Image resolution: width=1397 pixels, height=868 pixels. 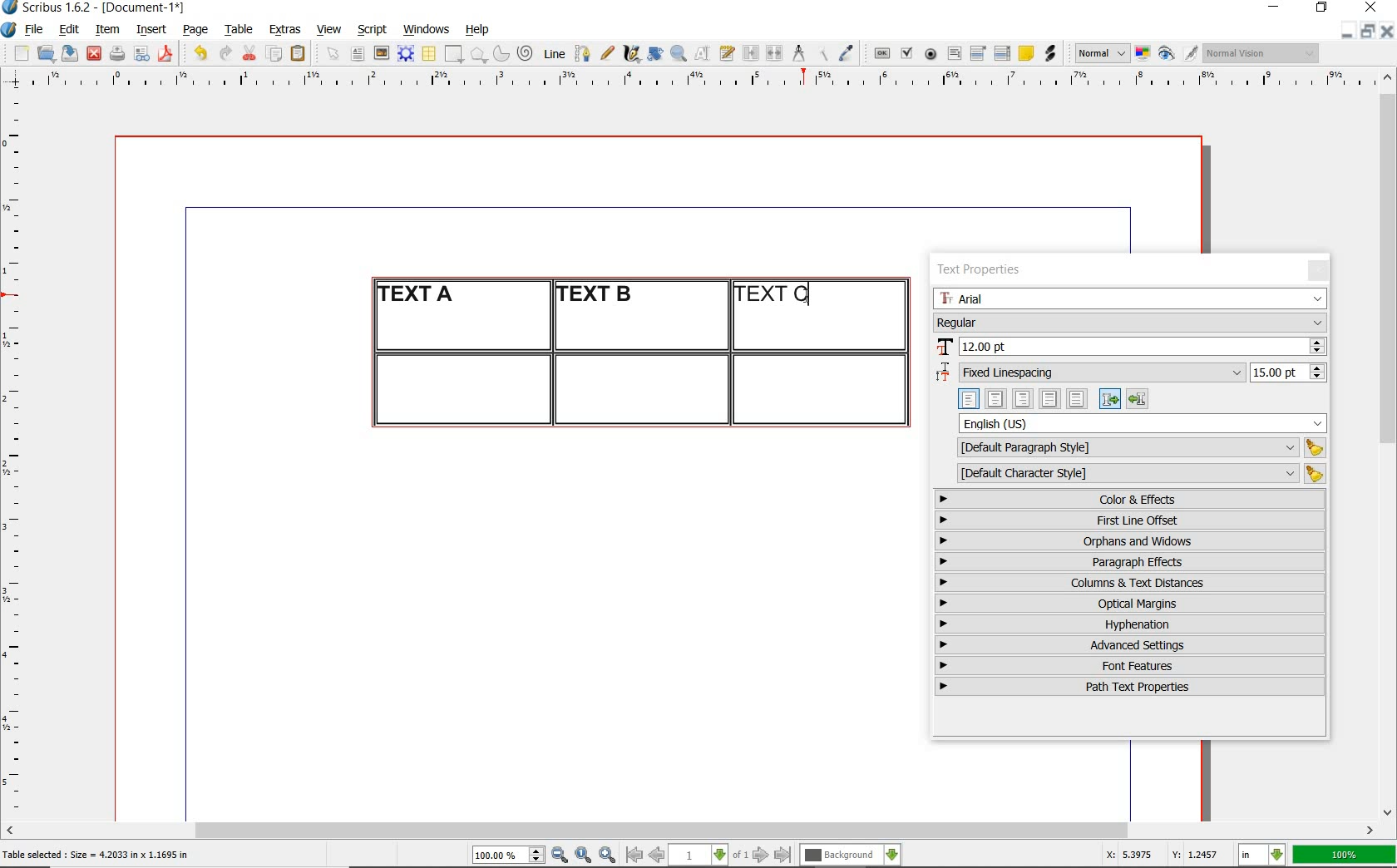 What do you see at coordinates (96, 854) in the screenshot?
I see `Table selected : Size = 4.2033 in x 1.1695 in` at bounding box center [96, 854].